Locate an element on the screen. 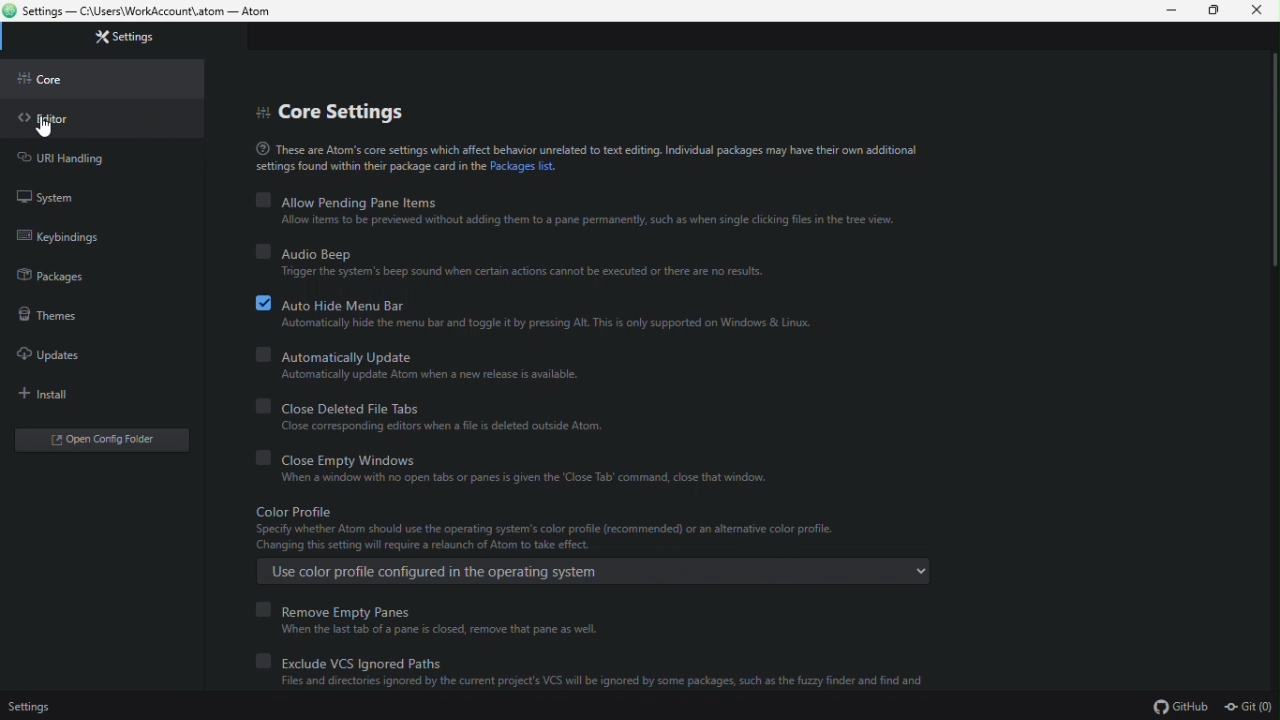  When the last tab of a pane is closed, remove that pane as well. is located at coordinates (436, 631).